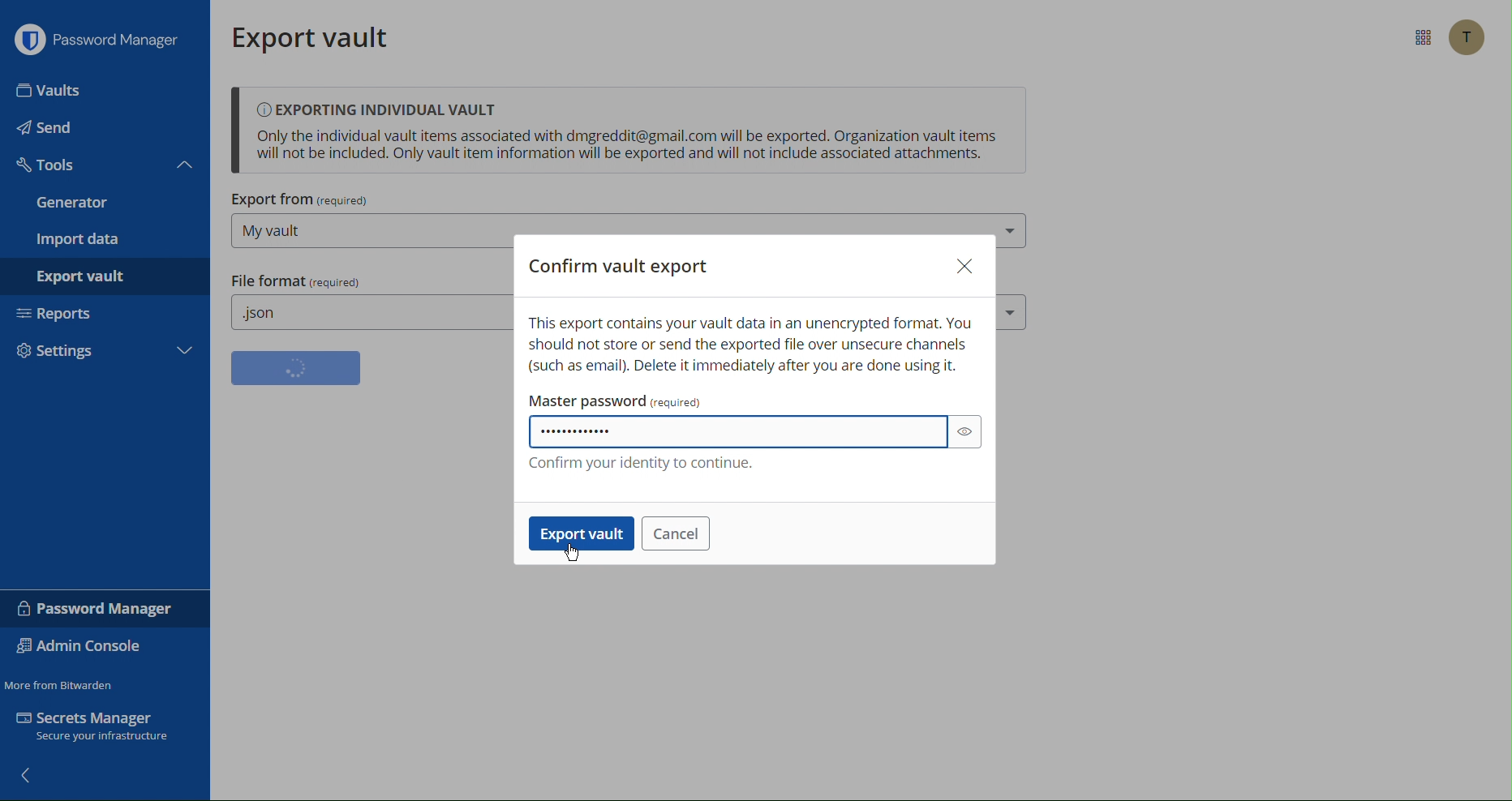 The image size is (1512, 801). Describe the element at coordinates (677, 534) in the screenshot. I see `Cancel` at that location.